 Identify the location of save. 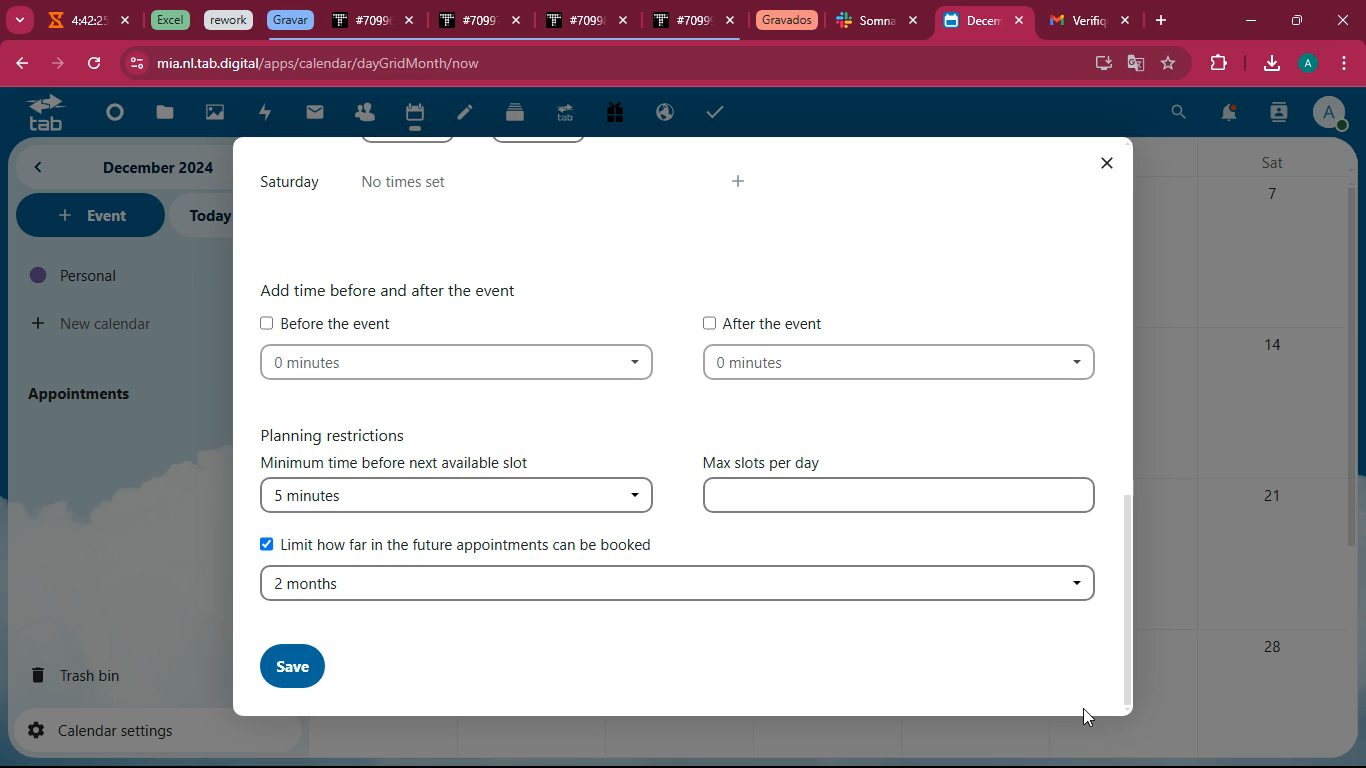
(292, 662).